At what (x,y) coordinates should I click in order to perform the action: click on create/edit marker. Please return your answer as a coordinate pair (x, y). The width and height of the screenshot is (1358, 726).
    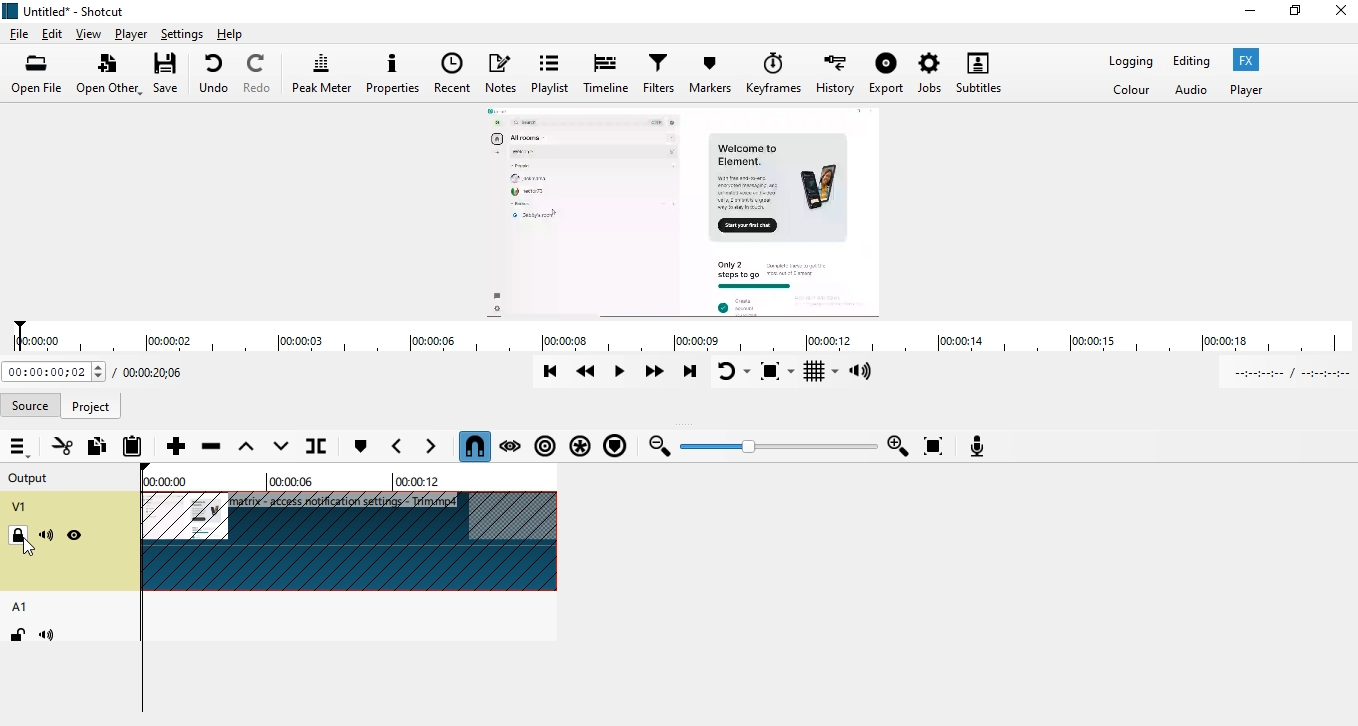
    Looking at the image, I should click on (360, 448).